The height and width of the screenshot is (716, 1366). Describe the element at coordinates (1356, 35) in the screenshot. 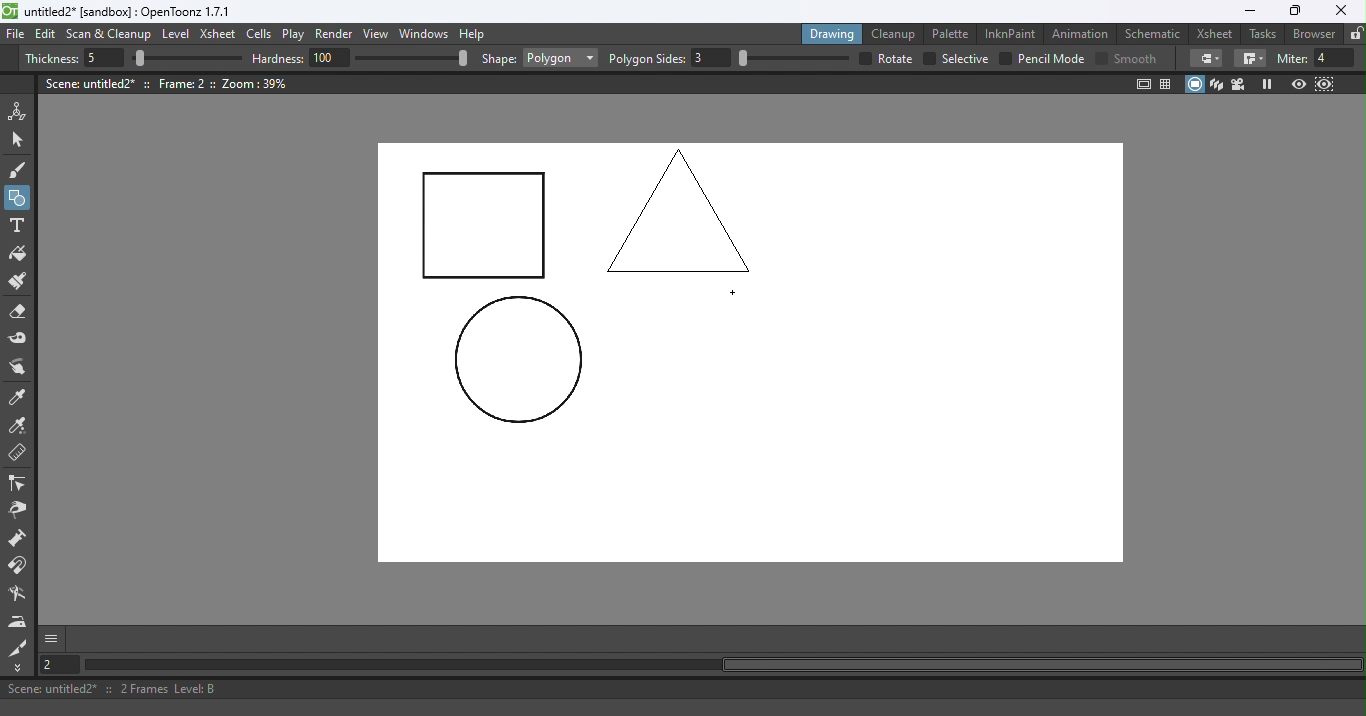

I see `Lock rooms tab` at that location.